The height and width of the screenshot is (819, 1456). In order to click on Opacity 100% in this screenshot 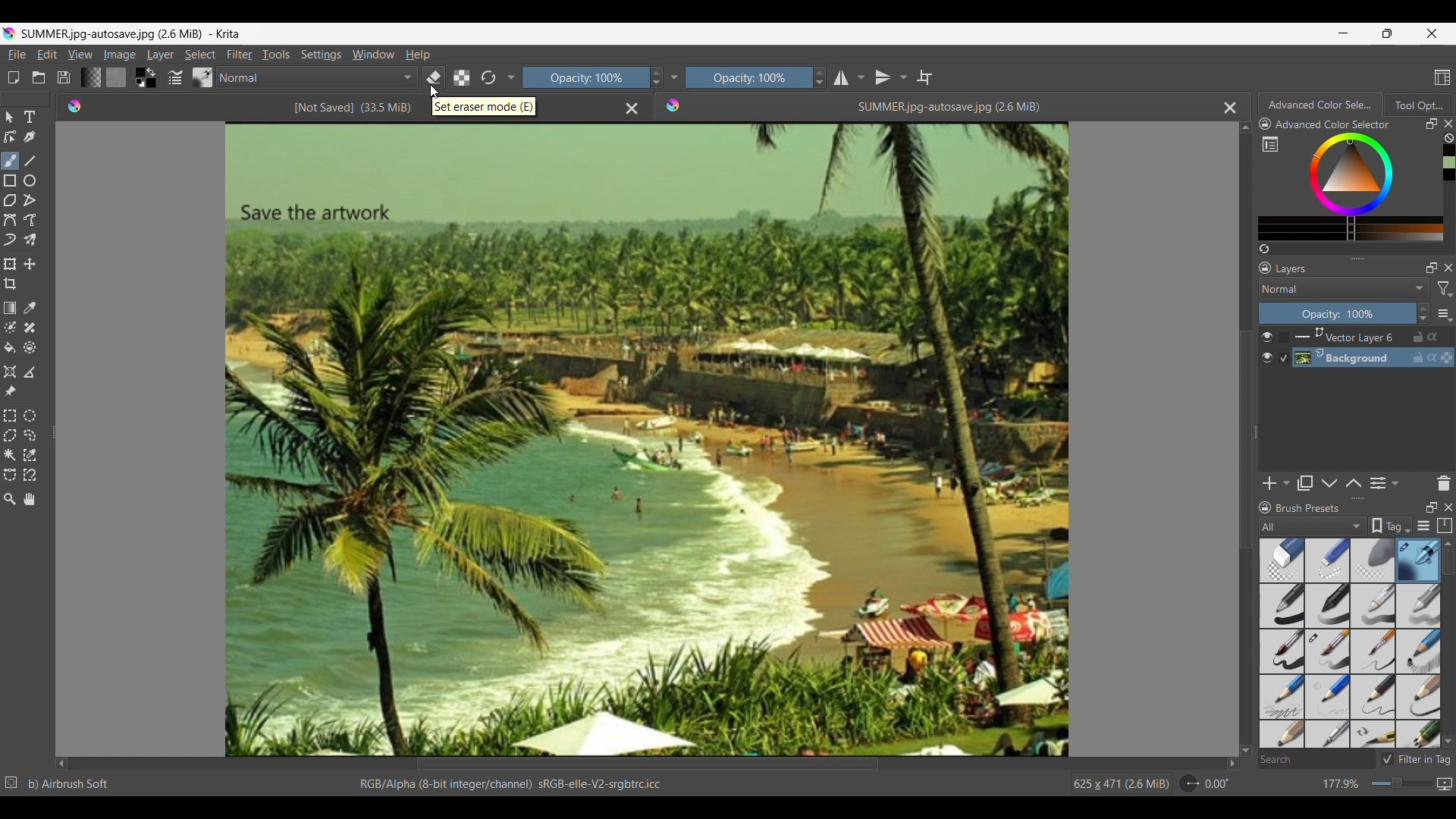, I will do `click(1337, 314)`.